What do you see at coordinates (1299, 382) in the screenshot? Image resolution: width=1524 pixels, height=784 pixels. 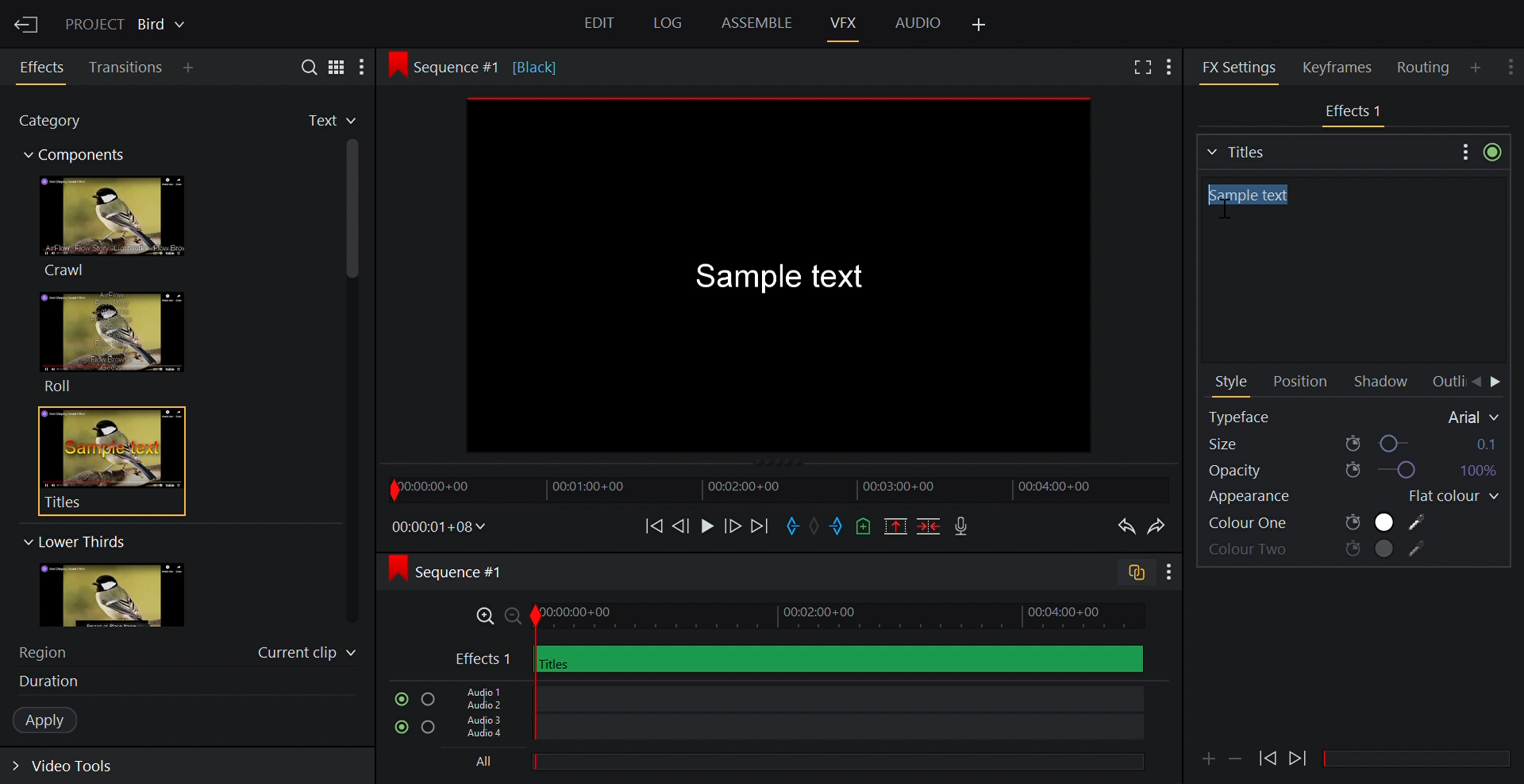 I see `Position` at bounding box center [1299, 382].